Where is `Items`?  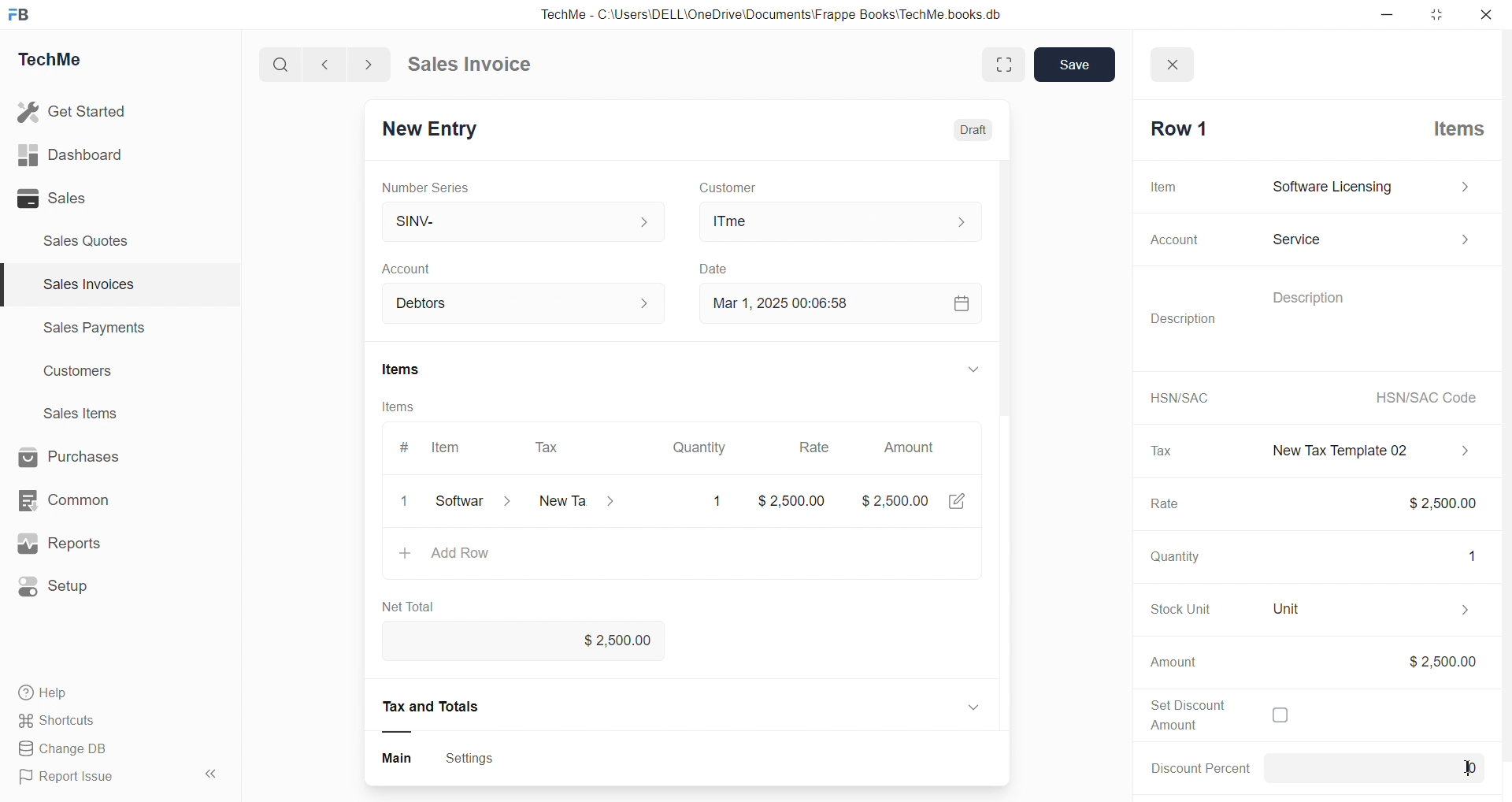
Items is located at coordinates (1451, 127).